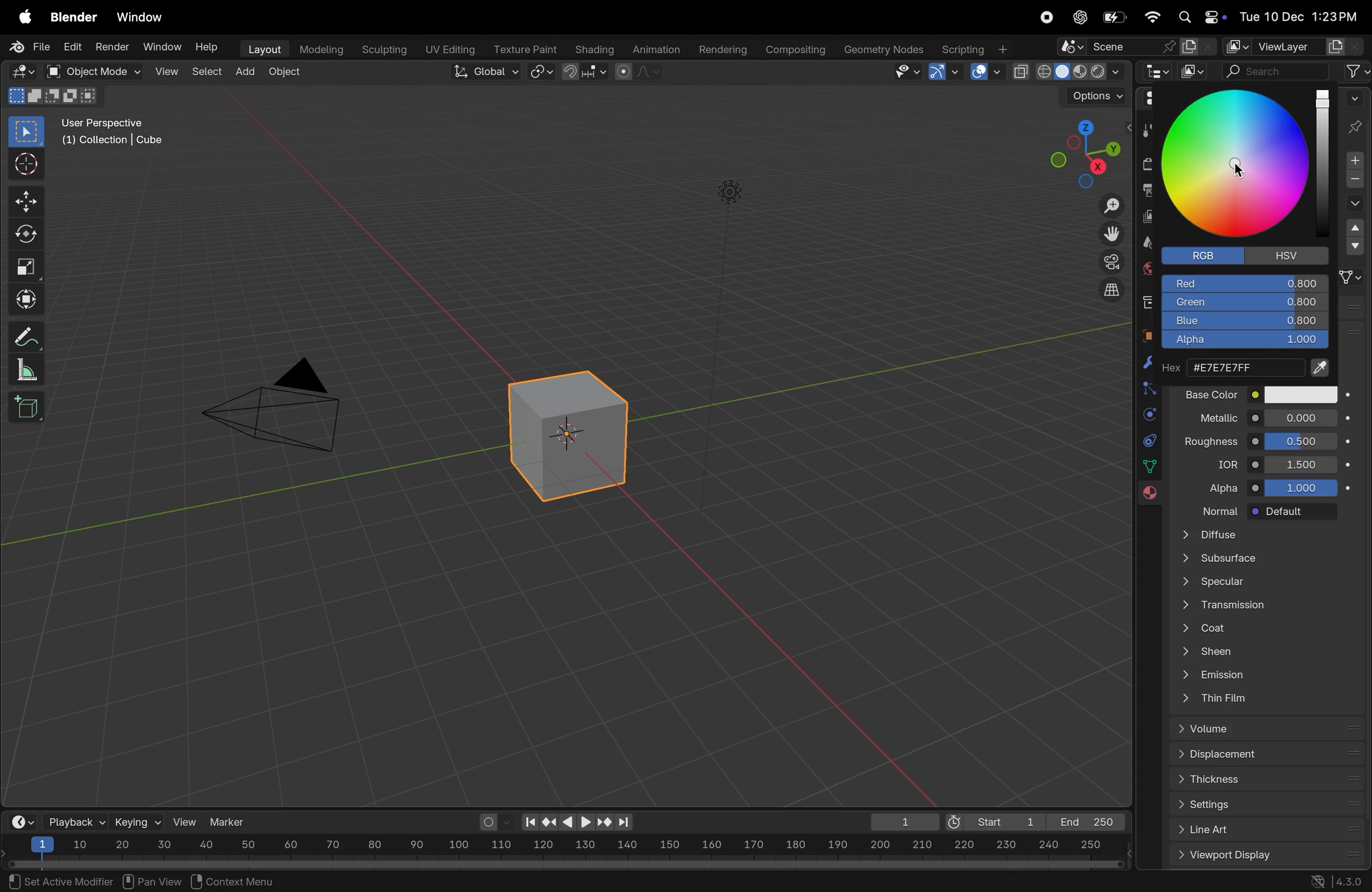 This screenshot has height=892, width=1372. I want to click on object, so click(1143, 334).